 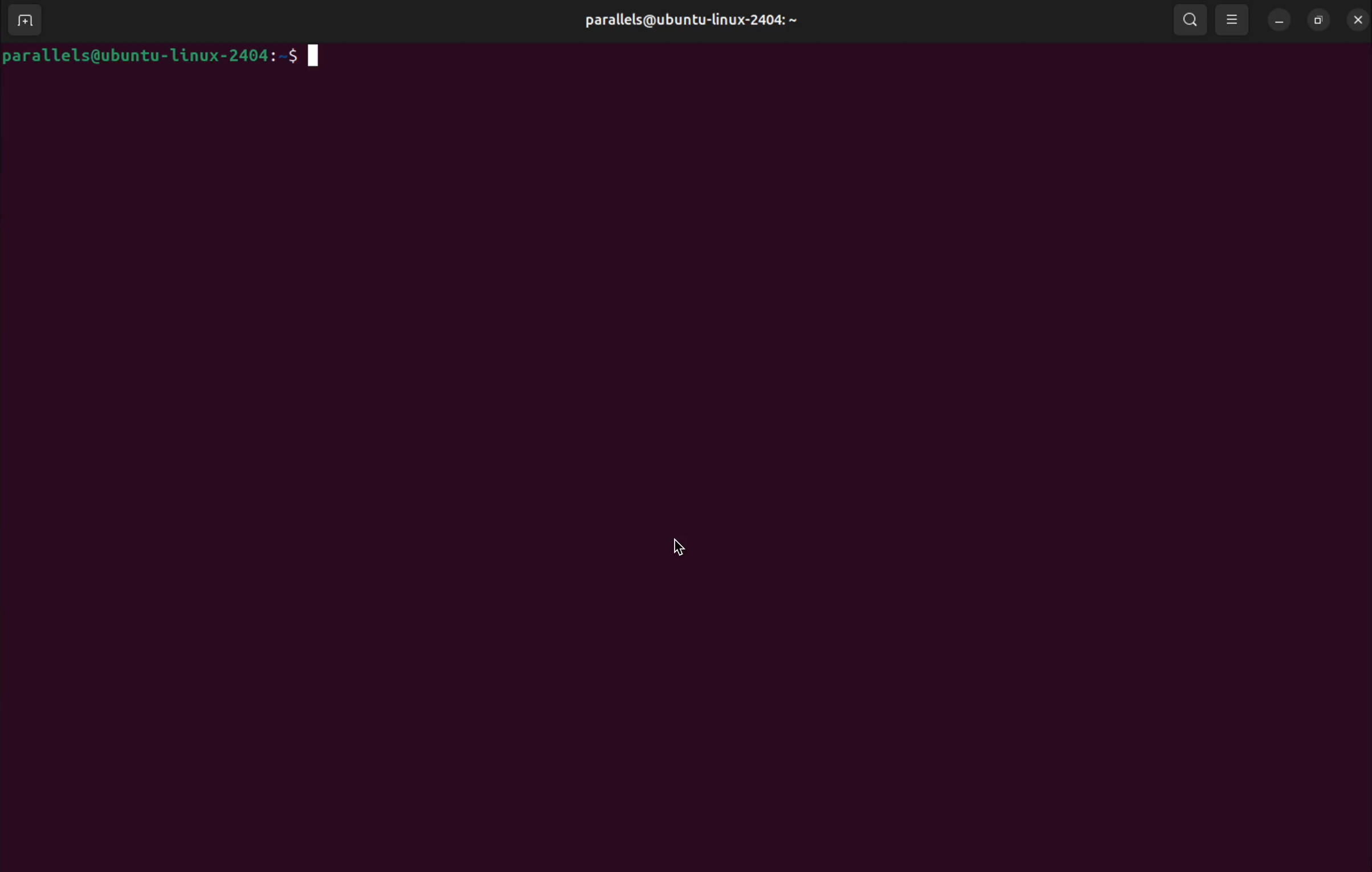 I want to click on minimize, so click(x=1279, y=18).